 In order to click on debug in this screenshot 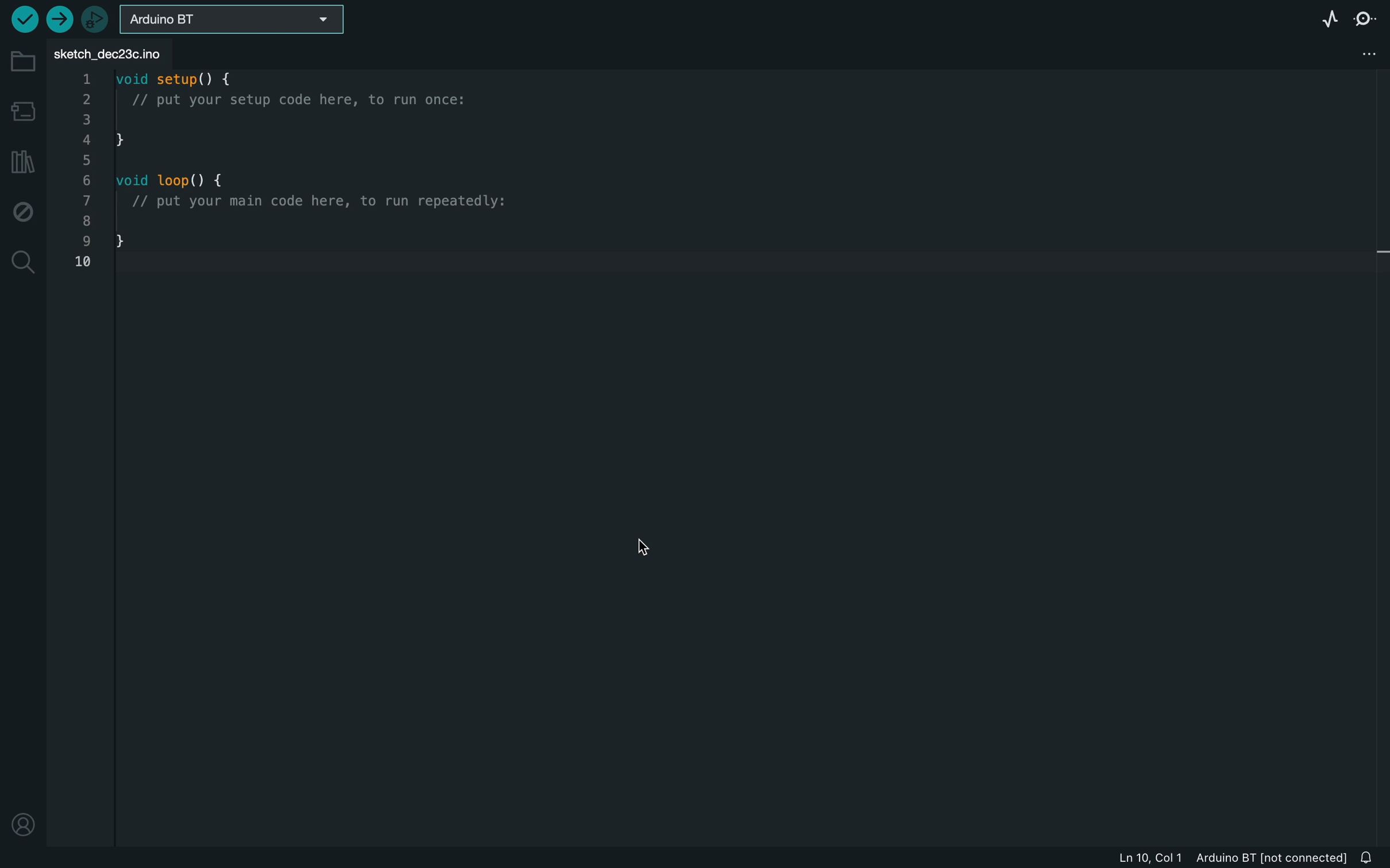, I will do `click(22, 214)`.